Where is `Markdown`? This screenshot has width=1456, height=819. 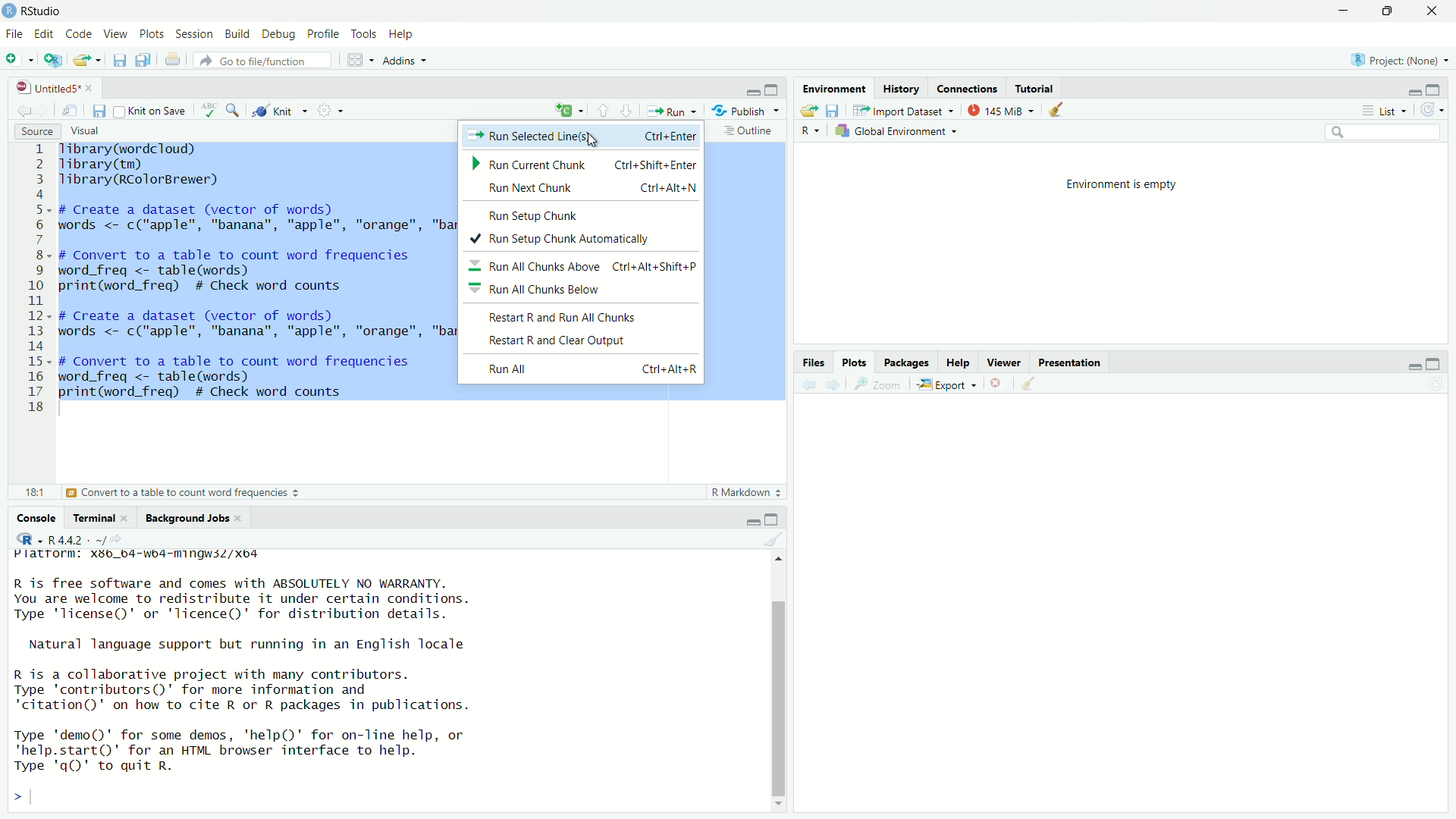 Markdown is located at coordinates (743, 493).